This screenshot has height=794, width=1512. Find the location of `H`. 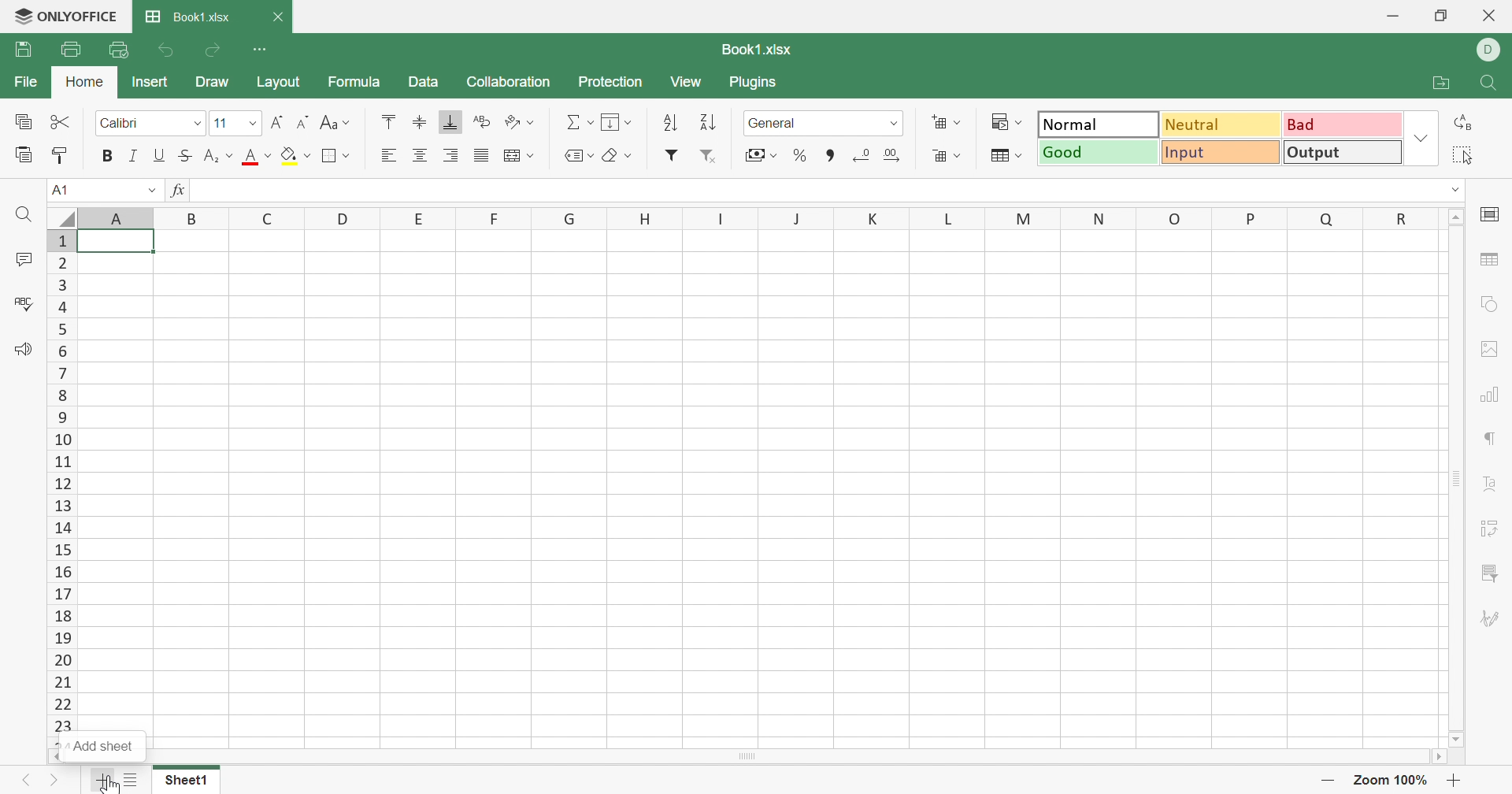

H is located at coordinates (643, 217).